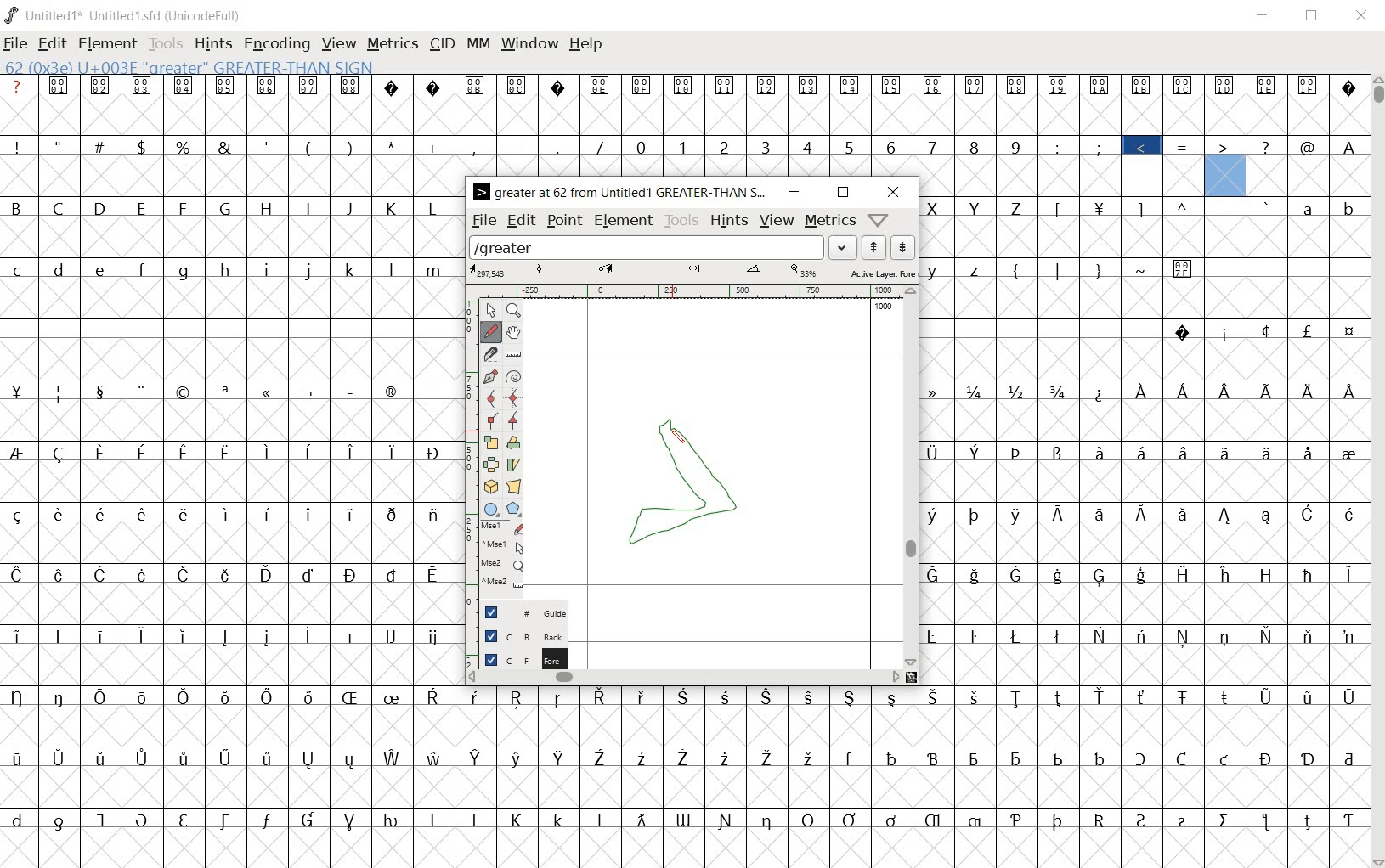 The height and width of the screenshot is (868, 1385). I want to click on glyph for a closed angle bracket creation, so click(704, 490).